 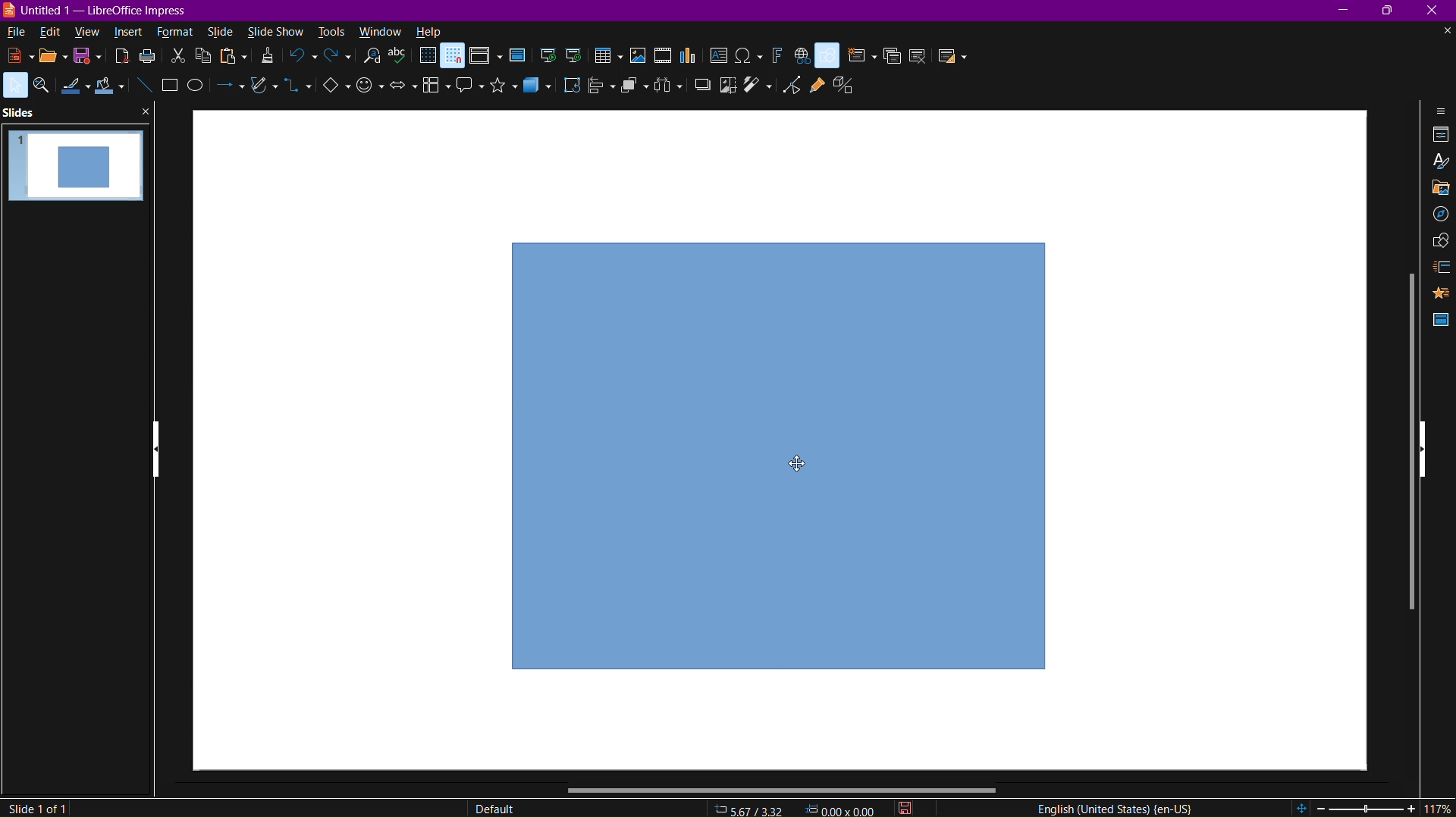 I want to click on Line Color, so click(x=74, y=89).